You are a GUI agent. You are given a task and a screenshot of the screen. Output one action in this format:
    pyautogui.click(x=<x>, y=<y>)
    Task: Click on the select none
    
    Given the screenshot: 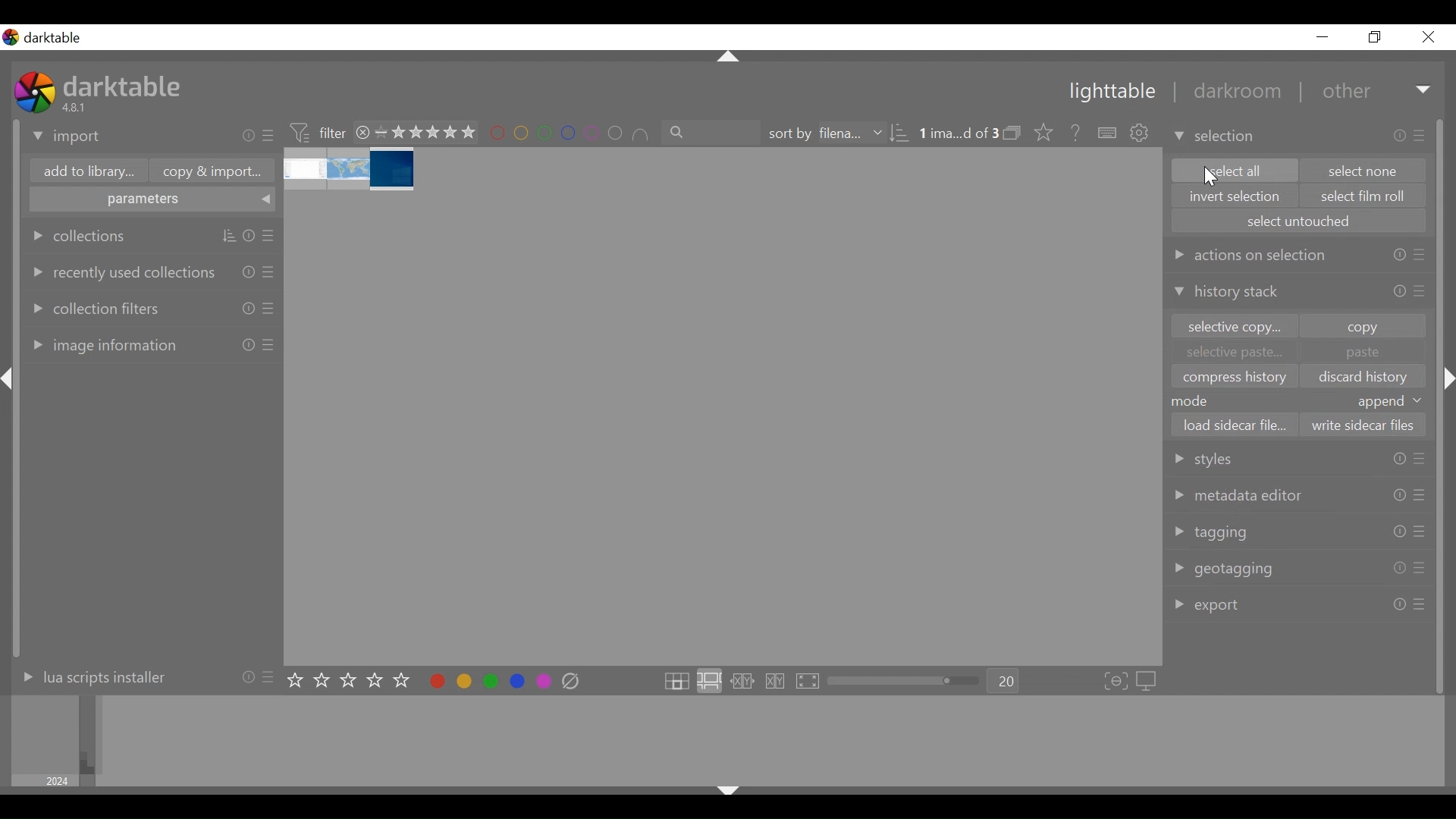 What is the action you would take?
    pyautogui.click(x=1364, y=171)
    